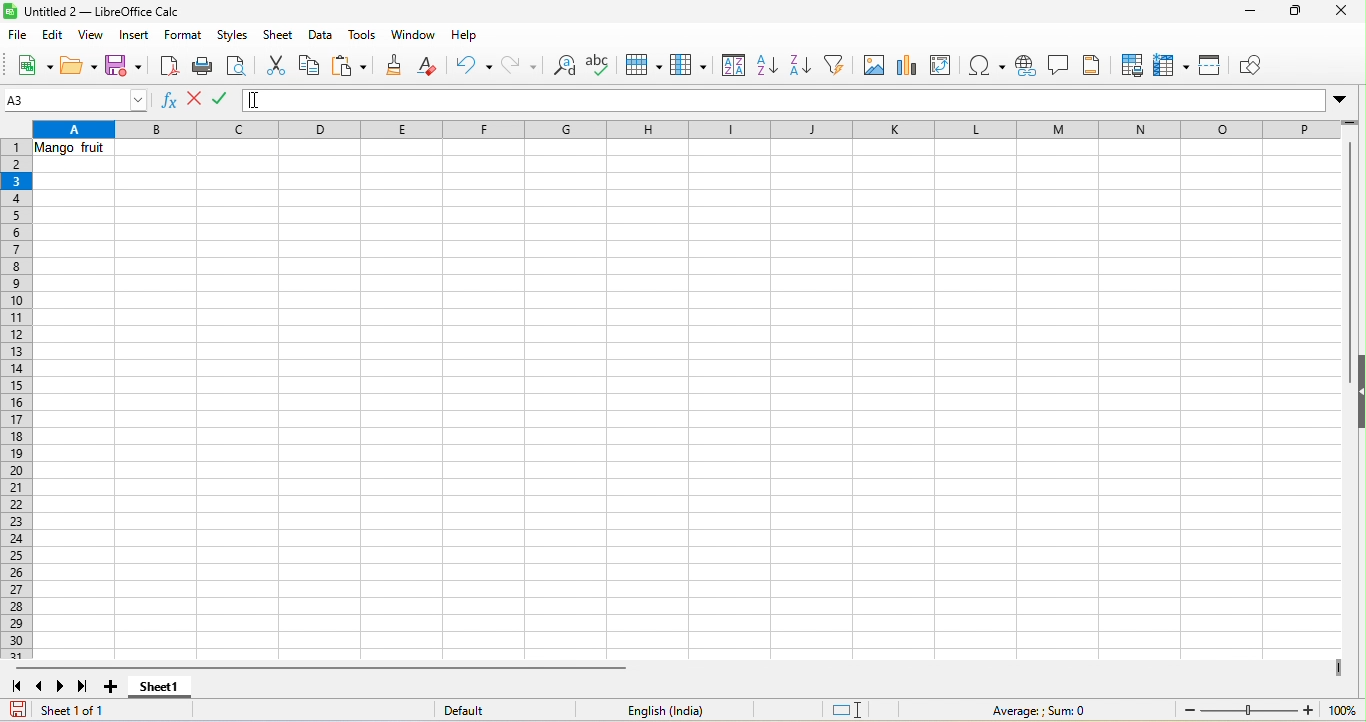  Describe the element at coordinates (1045, 711) in the screenshot. I see `average : sum=0` at that location.